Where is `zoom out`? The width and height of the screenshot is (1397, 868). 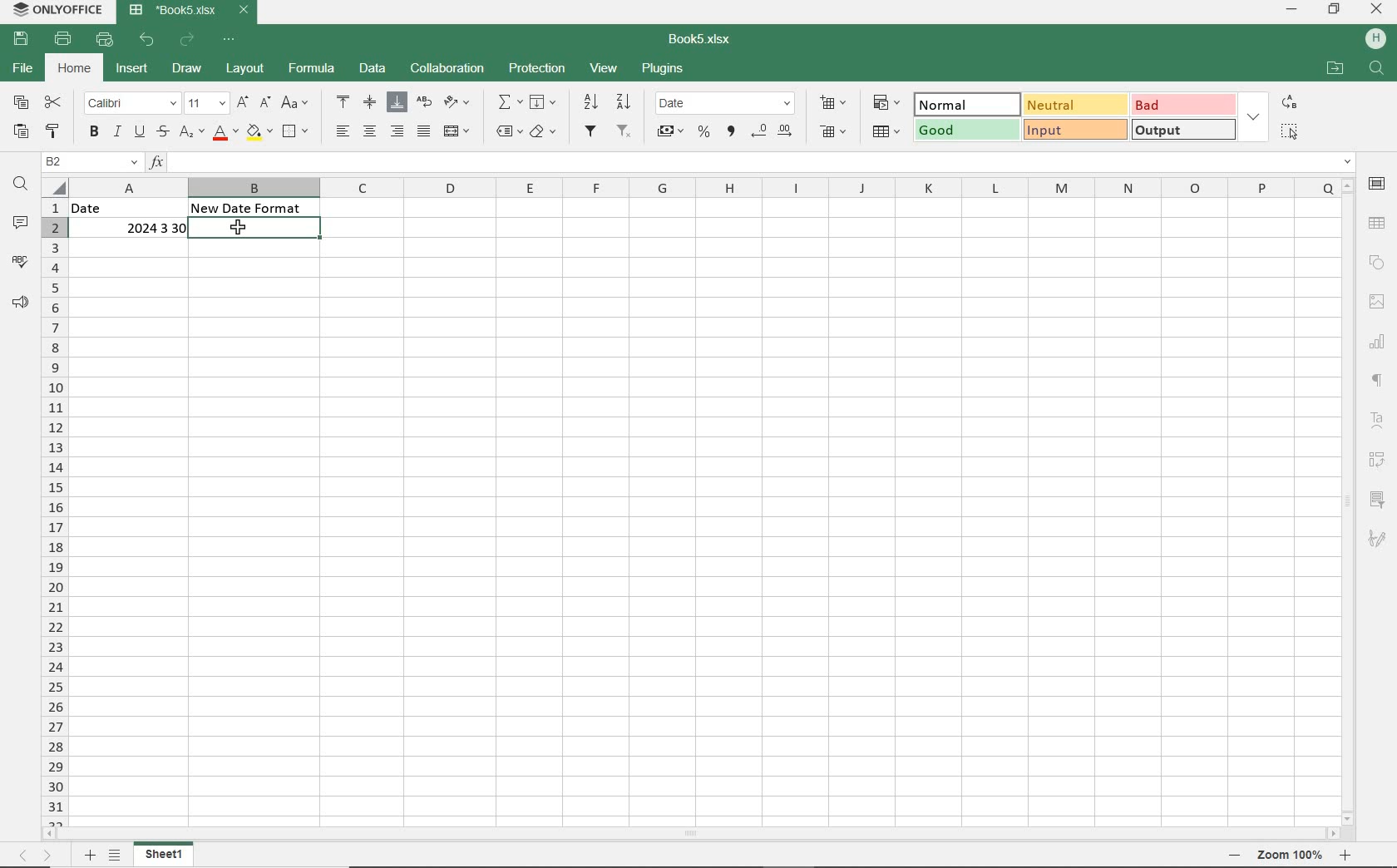
zoom out is located at coordinates (1233, 855).